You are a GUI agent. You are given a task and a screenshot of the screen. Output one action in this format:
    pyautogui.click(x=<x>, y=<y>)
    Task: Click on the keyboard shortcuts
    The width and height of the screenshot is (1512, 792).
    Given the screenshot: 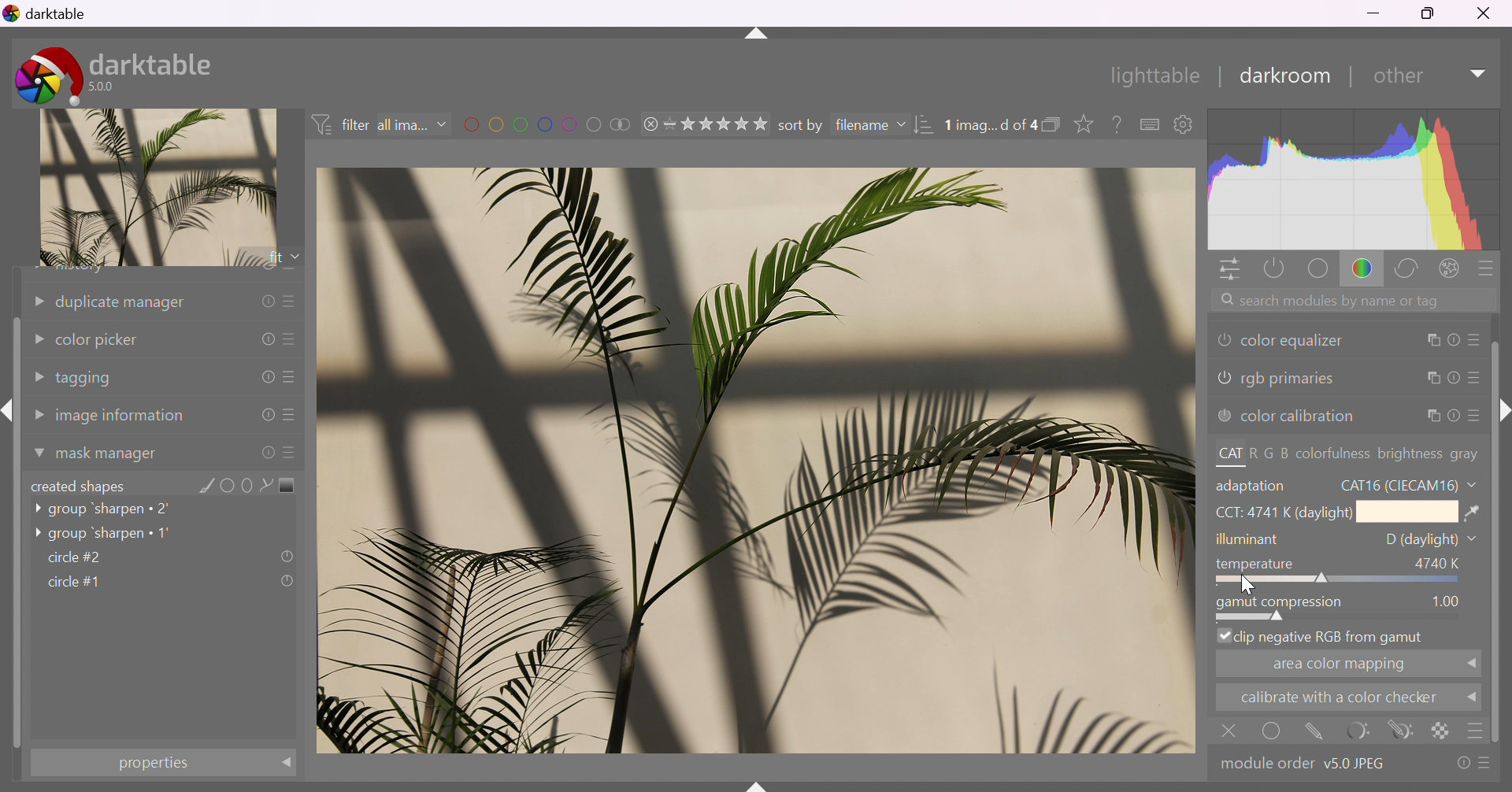 What is the action you would take?
    pyautogui.click(x=1148, y=125)
    